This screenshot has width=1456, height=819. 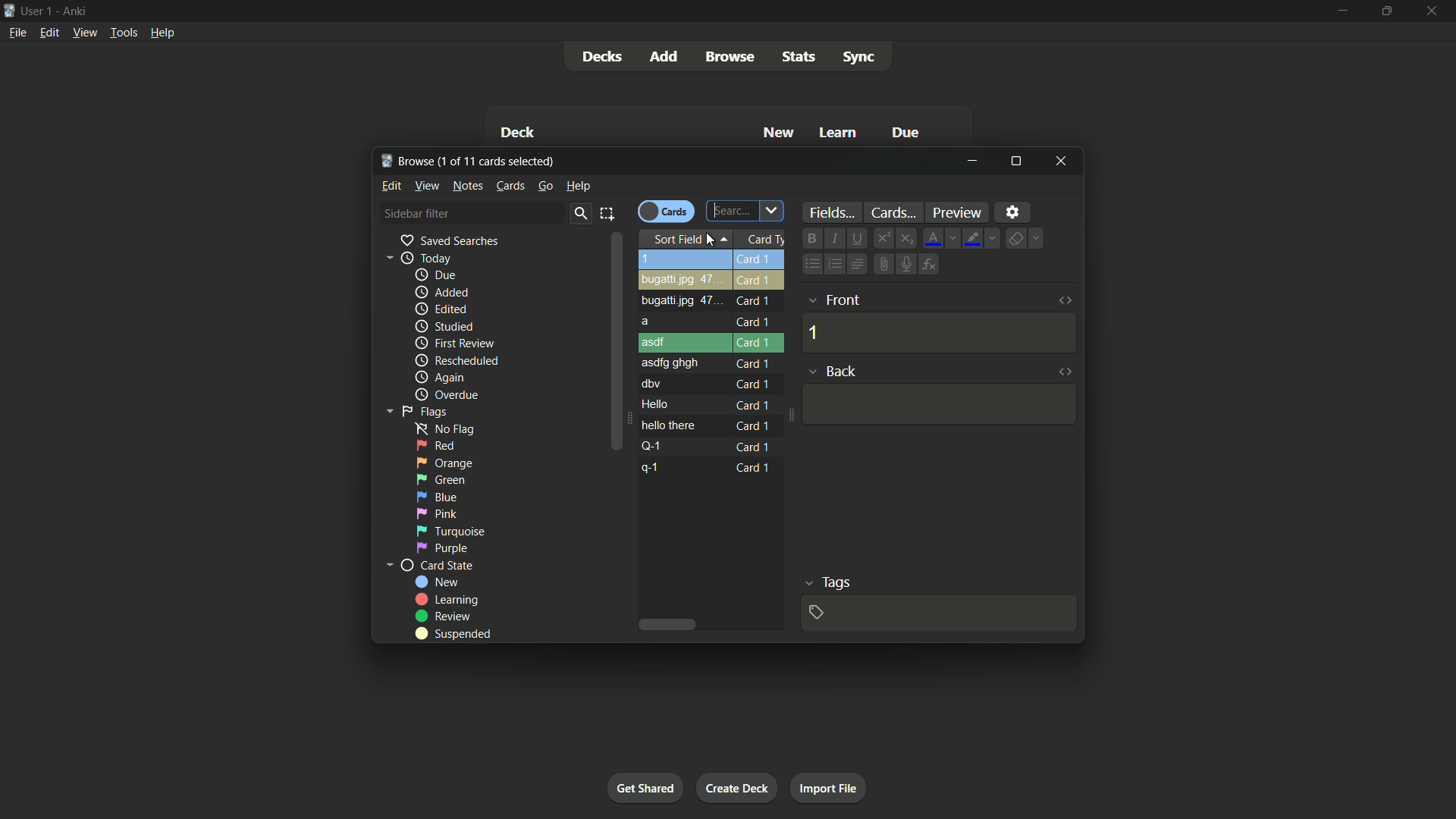 What do you see at coordinates (755, 259) in the screenshot?
I see `card 1` at bounding box center [755, 259].